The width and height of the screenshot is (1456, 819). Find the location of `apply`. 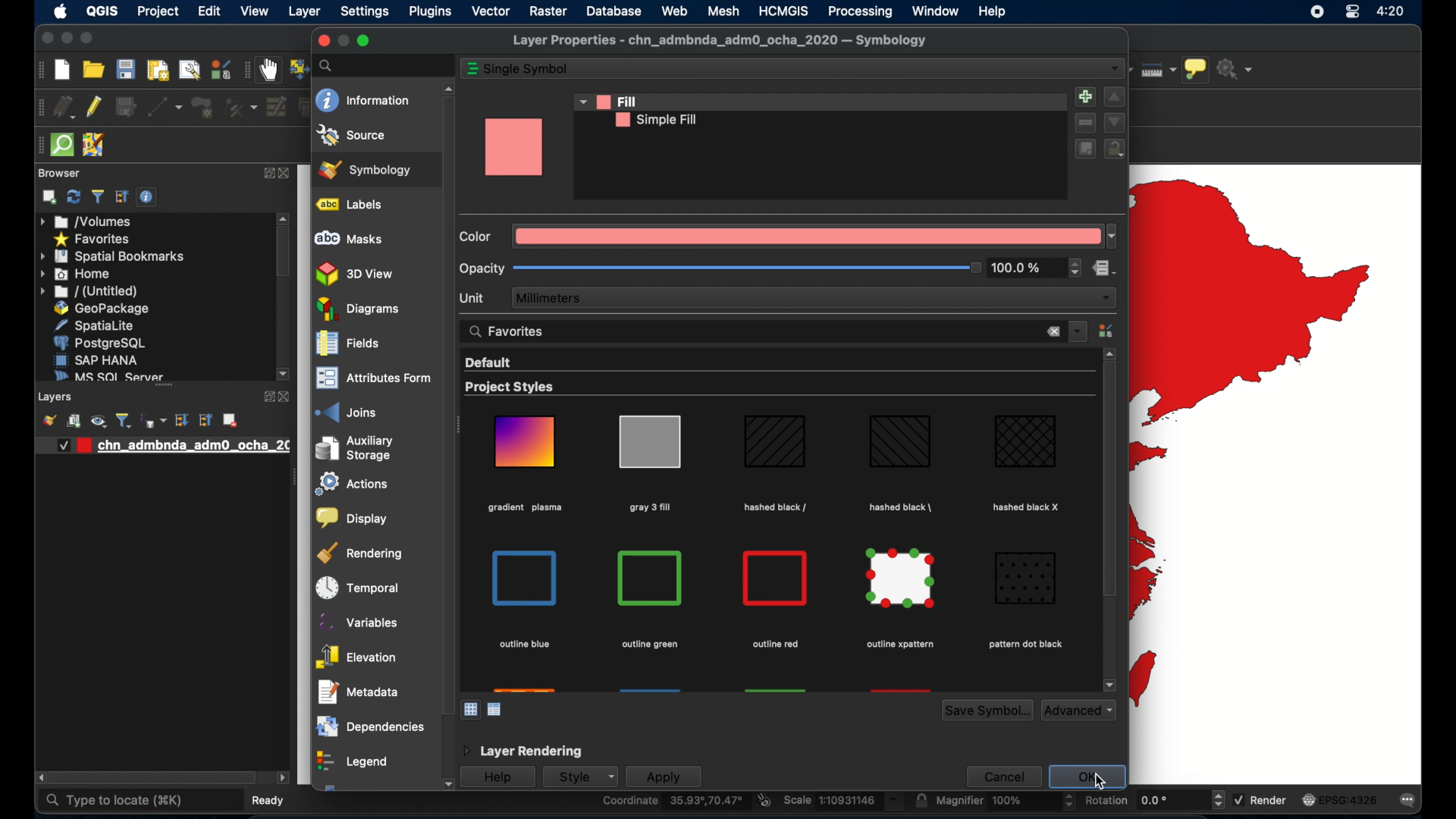

apply is located at coordinates (664, 777).